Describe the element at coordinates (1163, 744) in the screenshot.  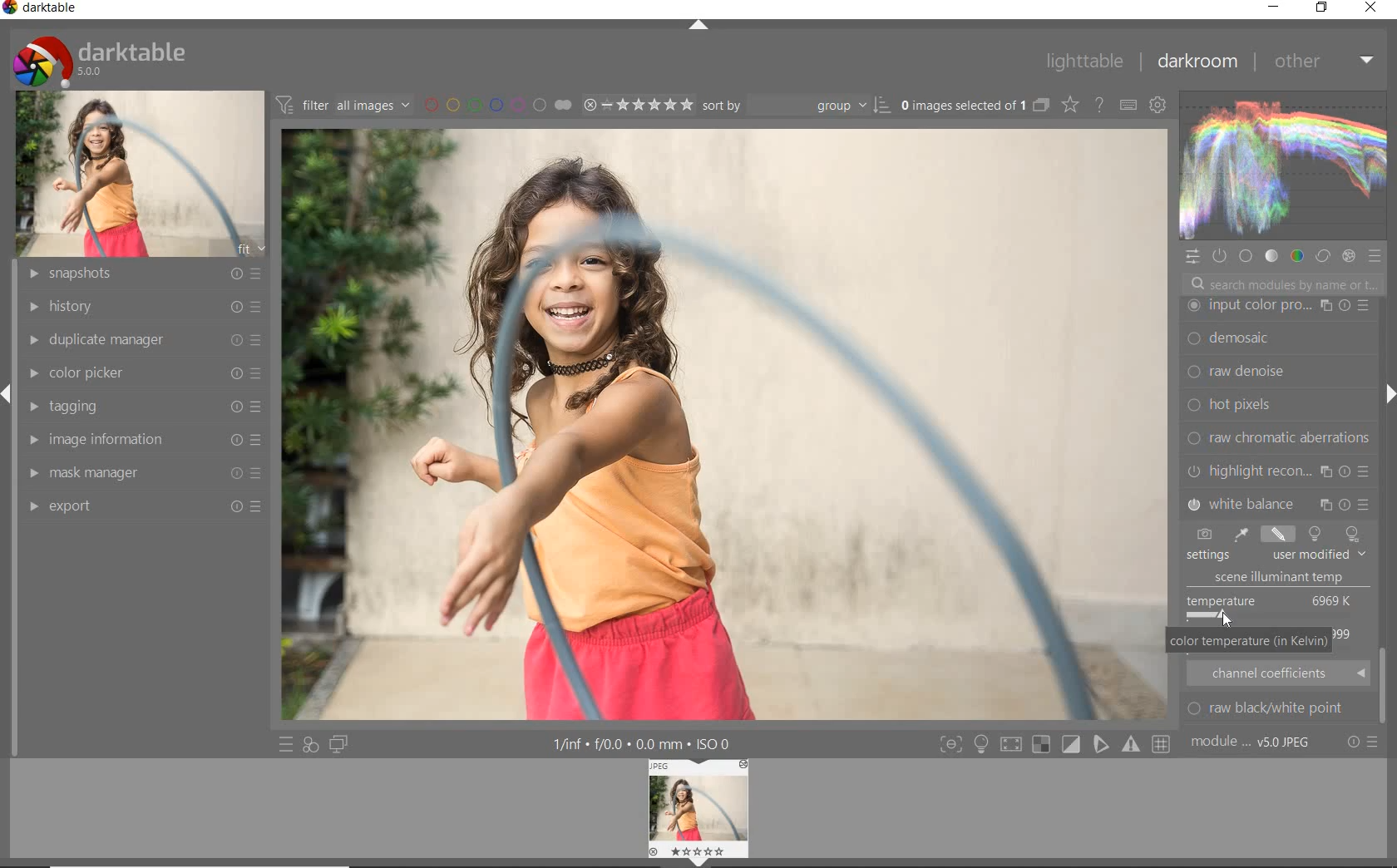
I see `toggle mode ` at that location.